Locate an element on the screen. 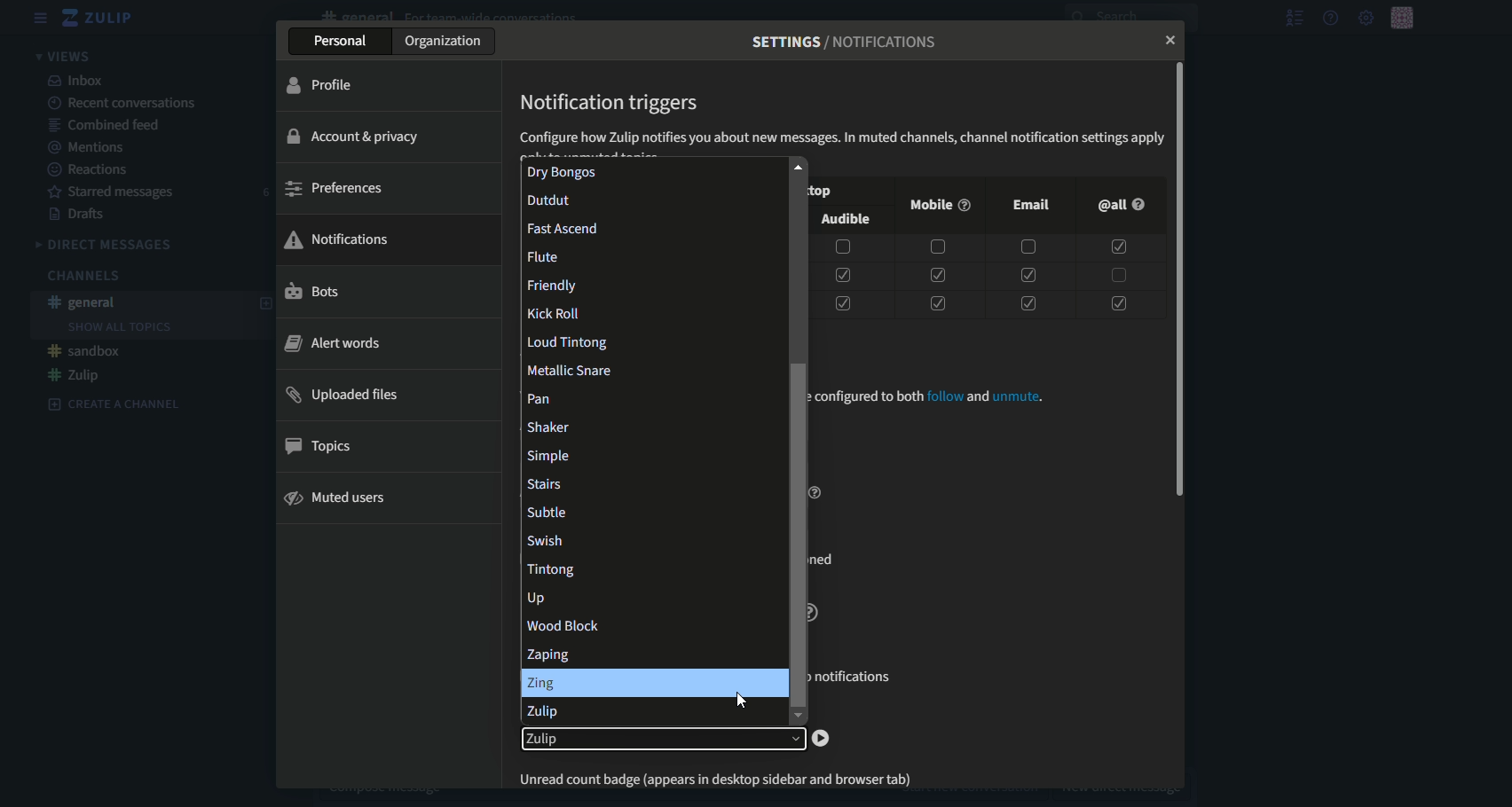 This screenshot has height=807, width=1512. kick roll is located at coordinates (650, 314).